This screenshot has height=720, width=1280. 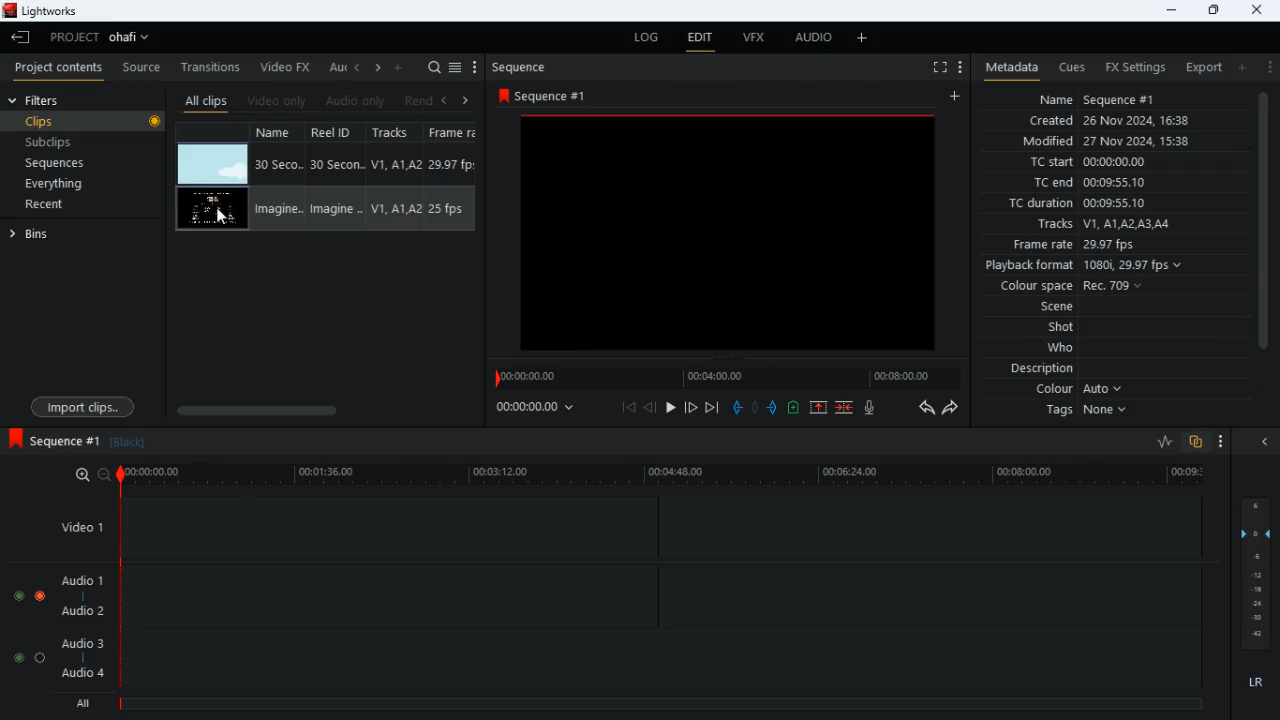 I want to click on shot, so click(x=1055, y=327).